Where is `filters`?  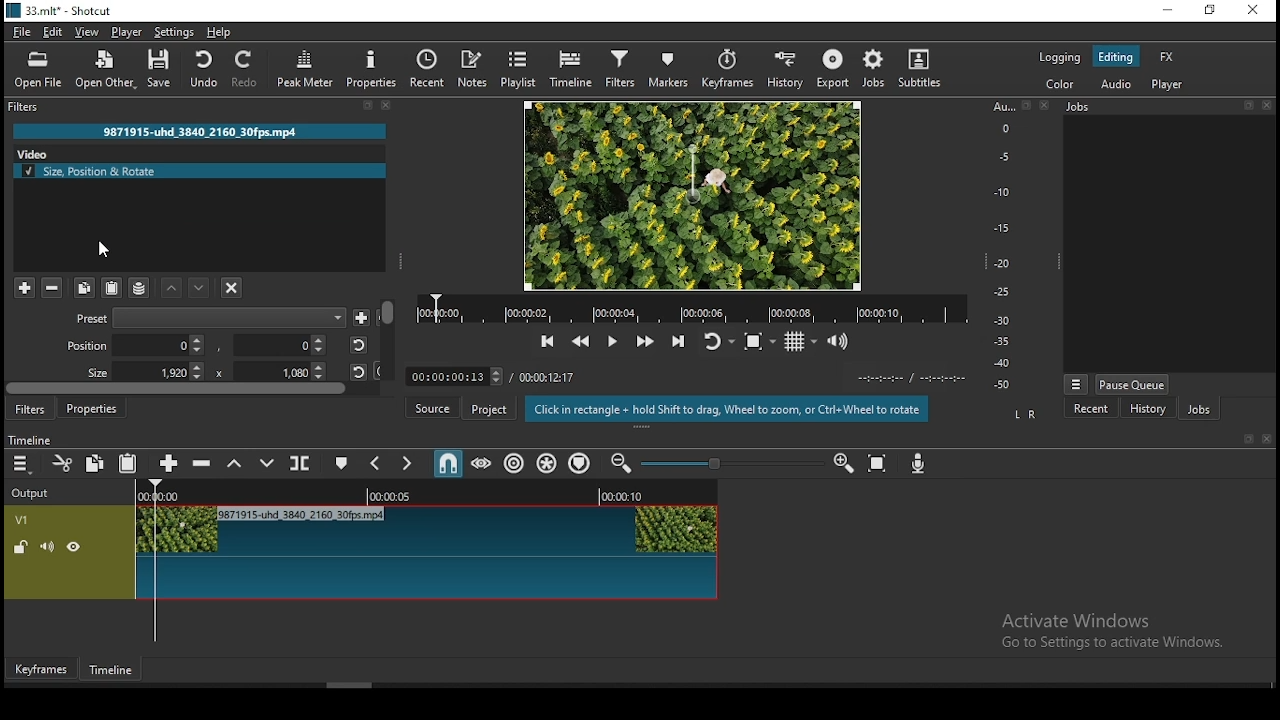 filters is located at coordinates (20, 108).